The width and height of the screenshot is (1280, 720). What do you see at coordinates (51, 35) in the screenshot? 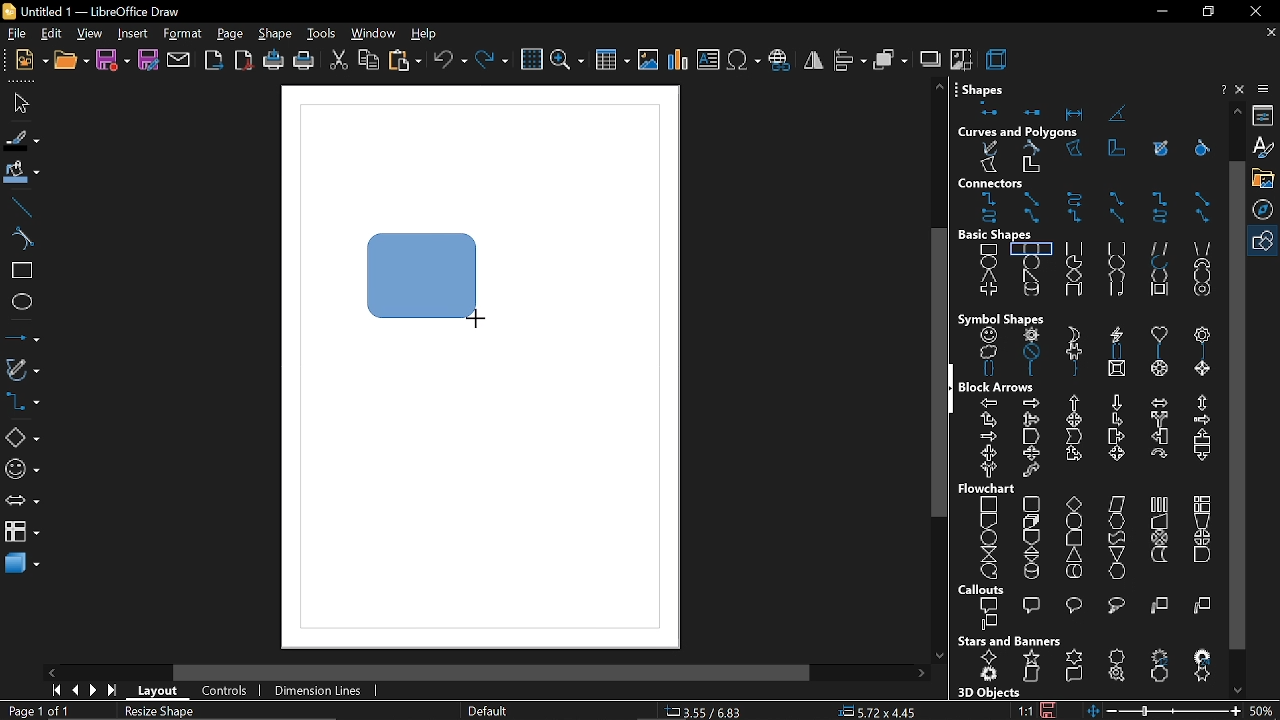
I see `edit` at bounding box center [51, 35].